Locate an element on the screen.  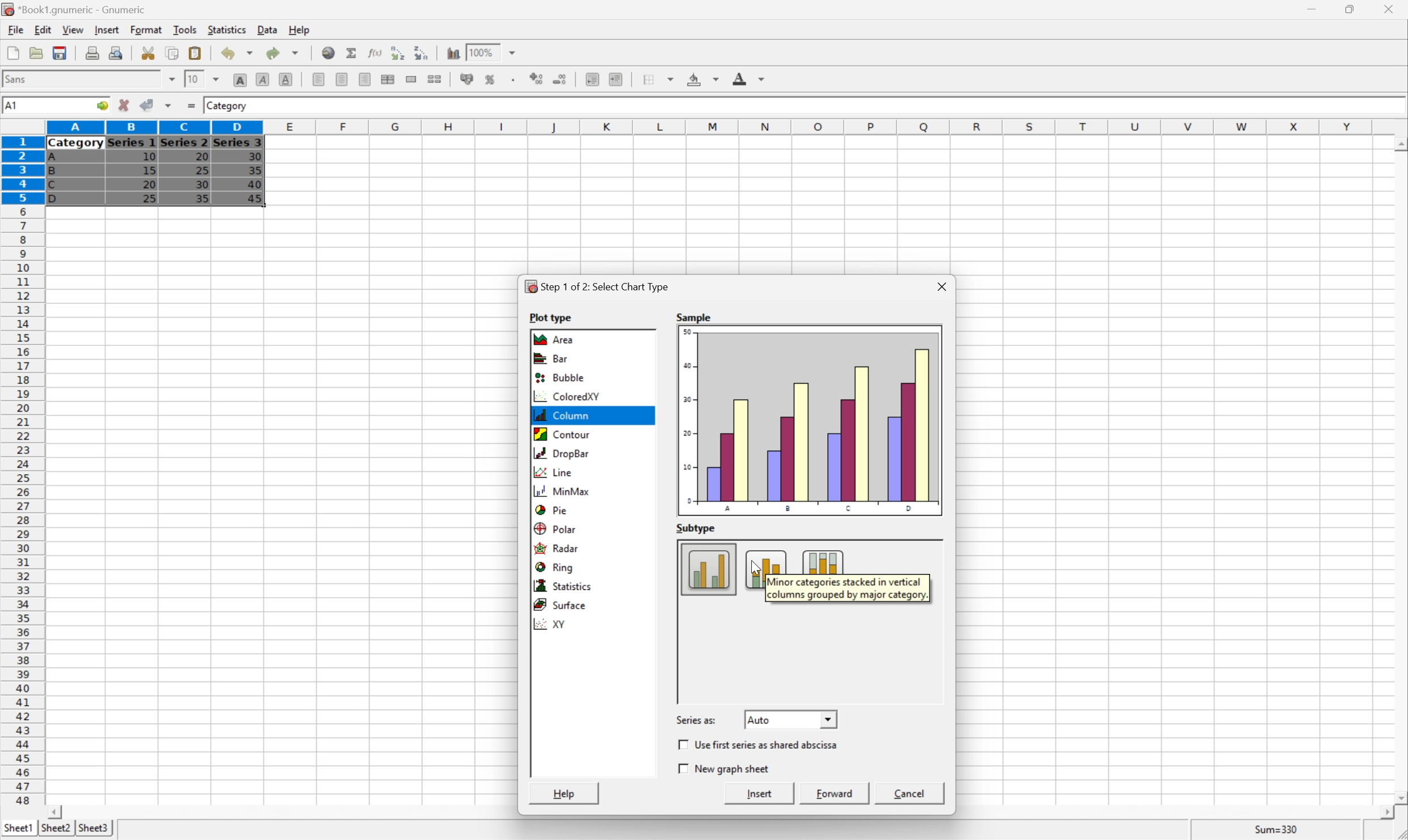
Edit function in current cell is located at coordinates (376, 53).